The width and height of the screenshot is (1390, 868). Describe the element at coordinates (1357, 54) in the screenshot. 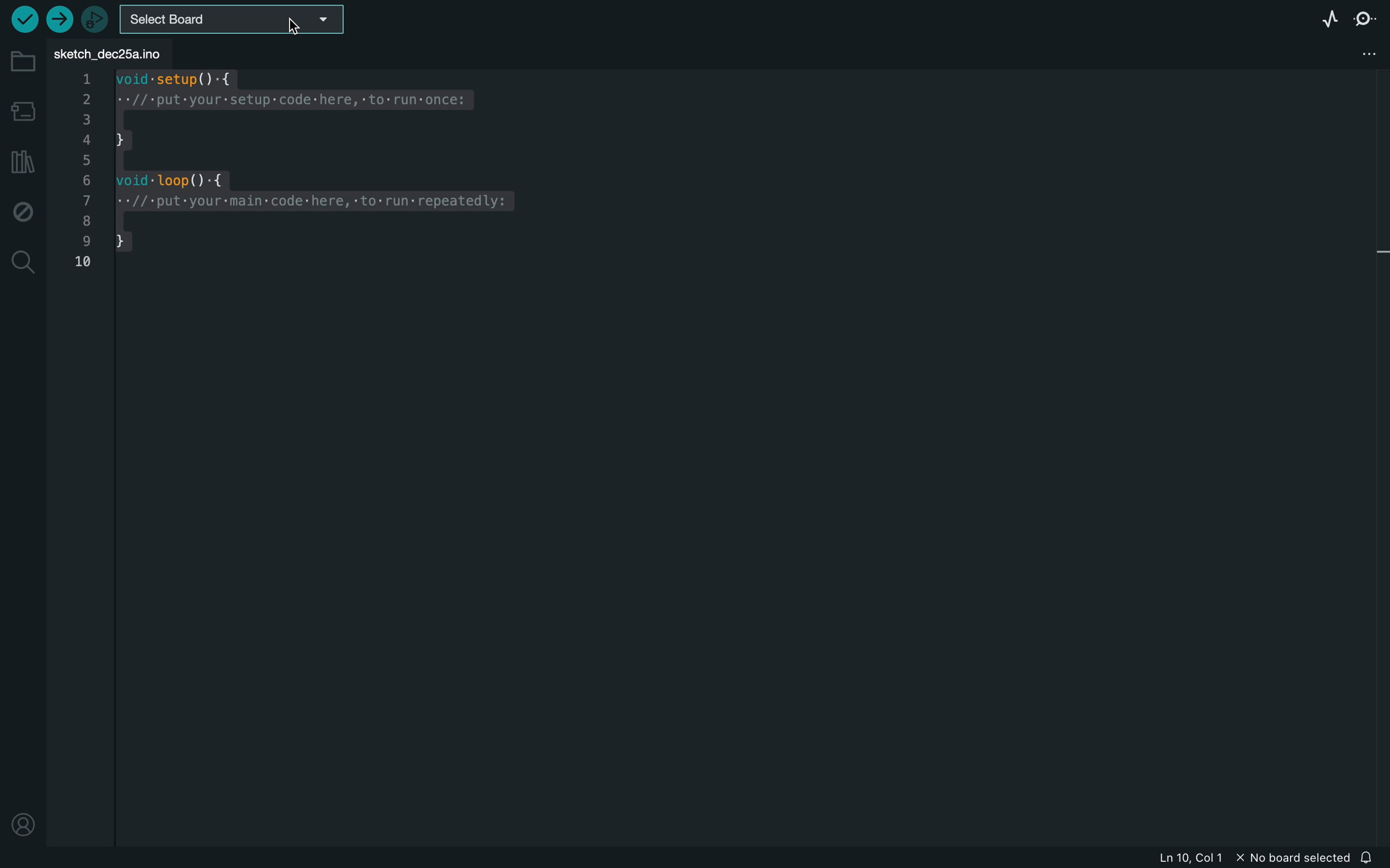

I see `file setting` at that location.